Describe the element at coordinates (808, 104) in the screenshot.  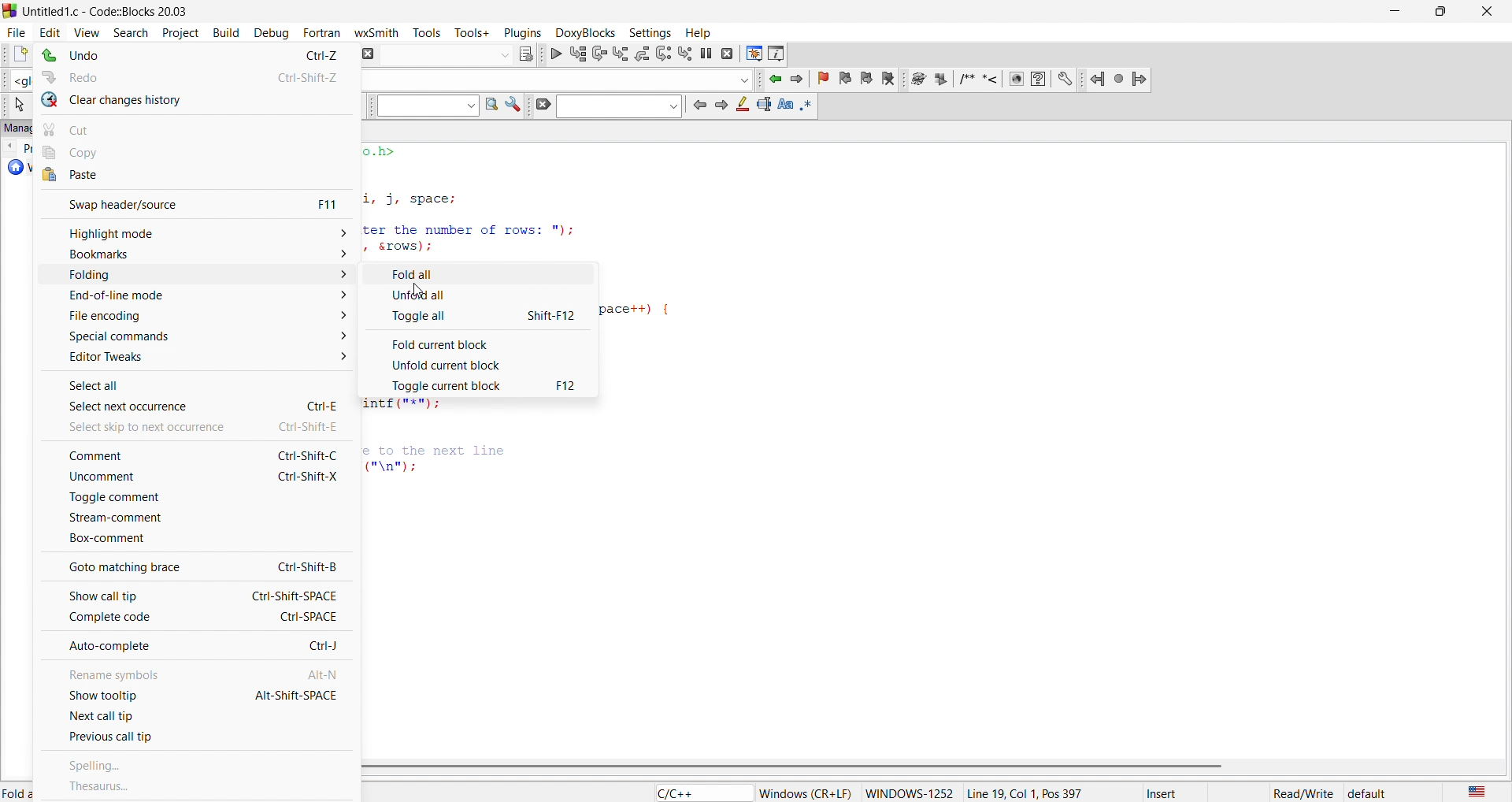
I see `use regex` at that location.